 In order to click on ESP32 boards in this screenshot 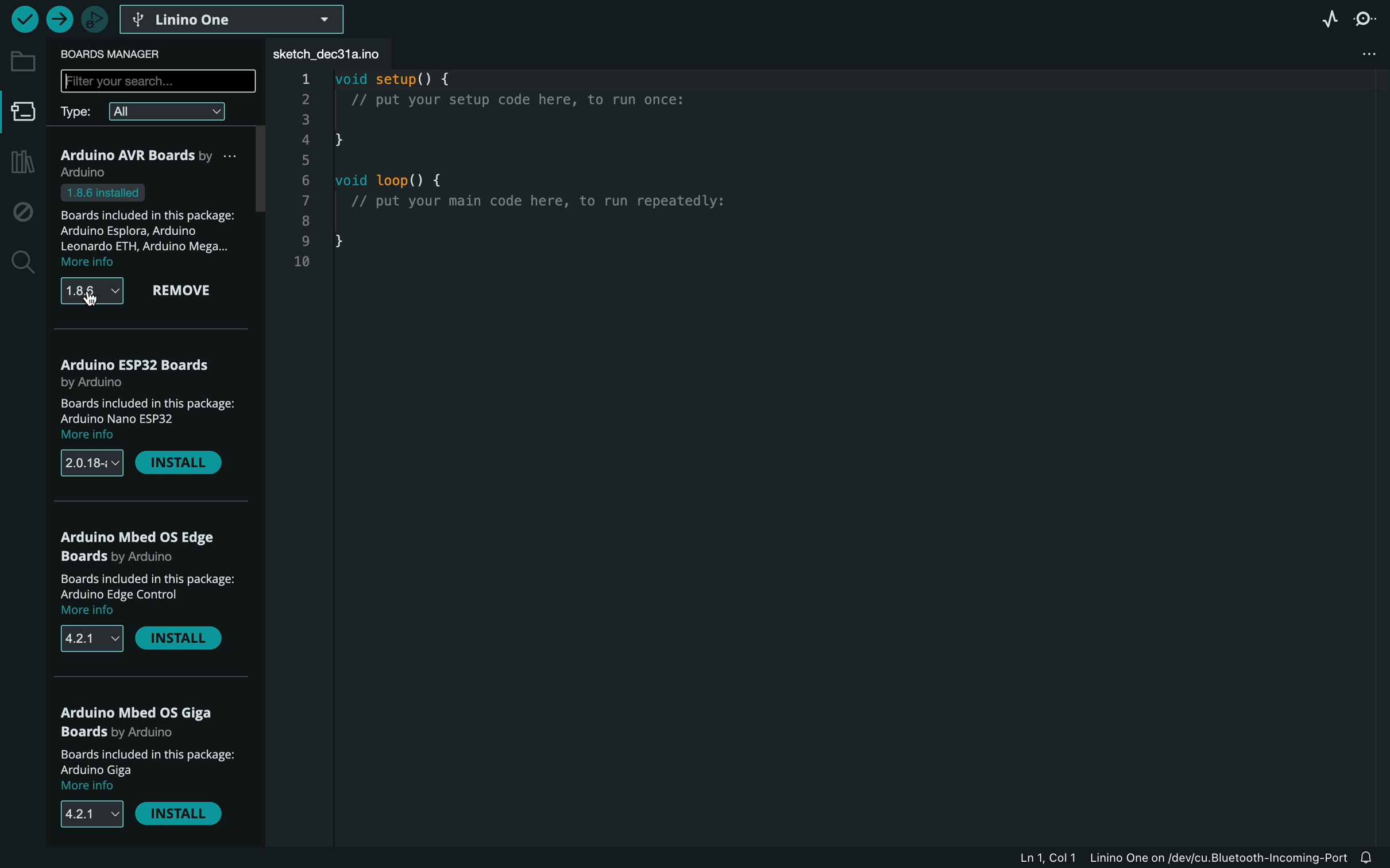, I will do `click(141, 371)`.